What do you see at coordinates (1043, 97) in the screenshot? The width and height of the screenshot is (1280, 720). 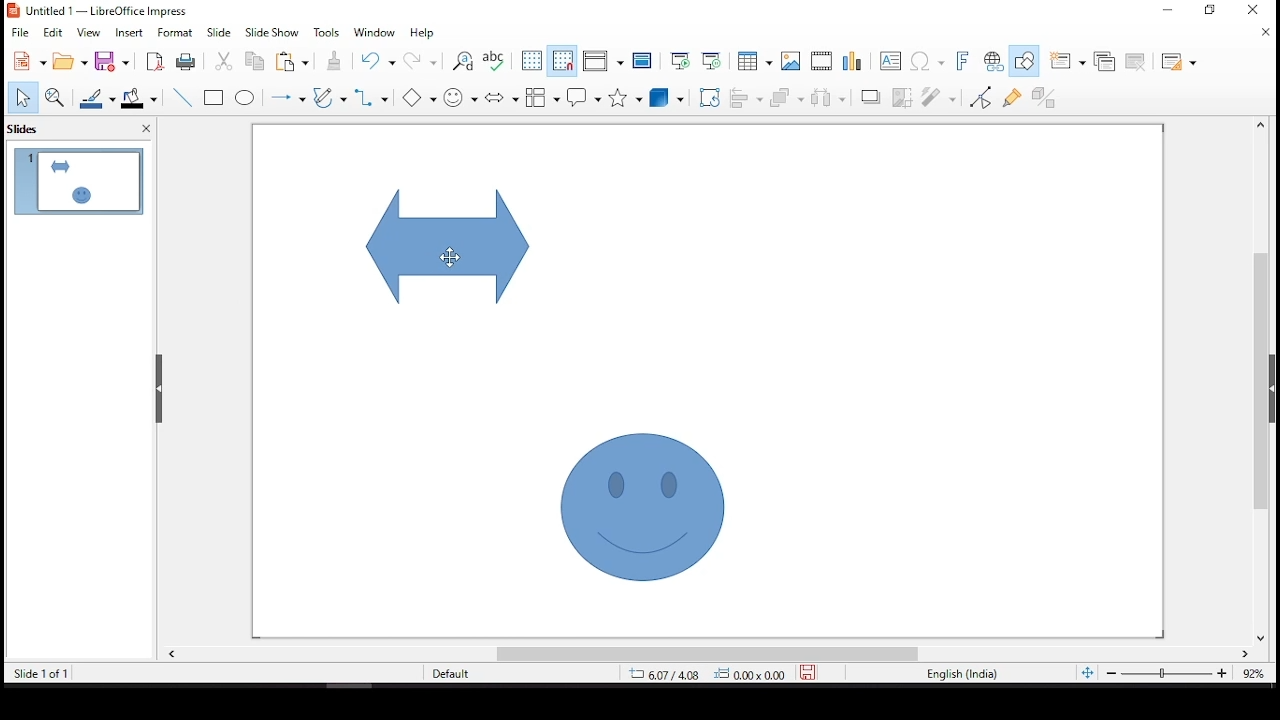 I see `toggle extrusion` at bounding box center [1043, 97].